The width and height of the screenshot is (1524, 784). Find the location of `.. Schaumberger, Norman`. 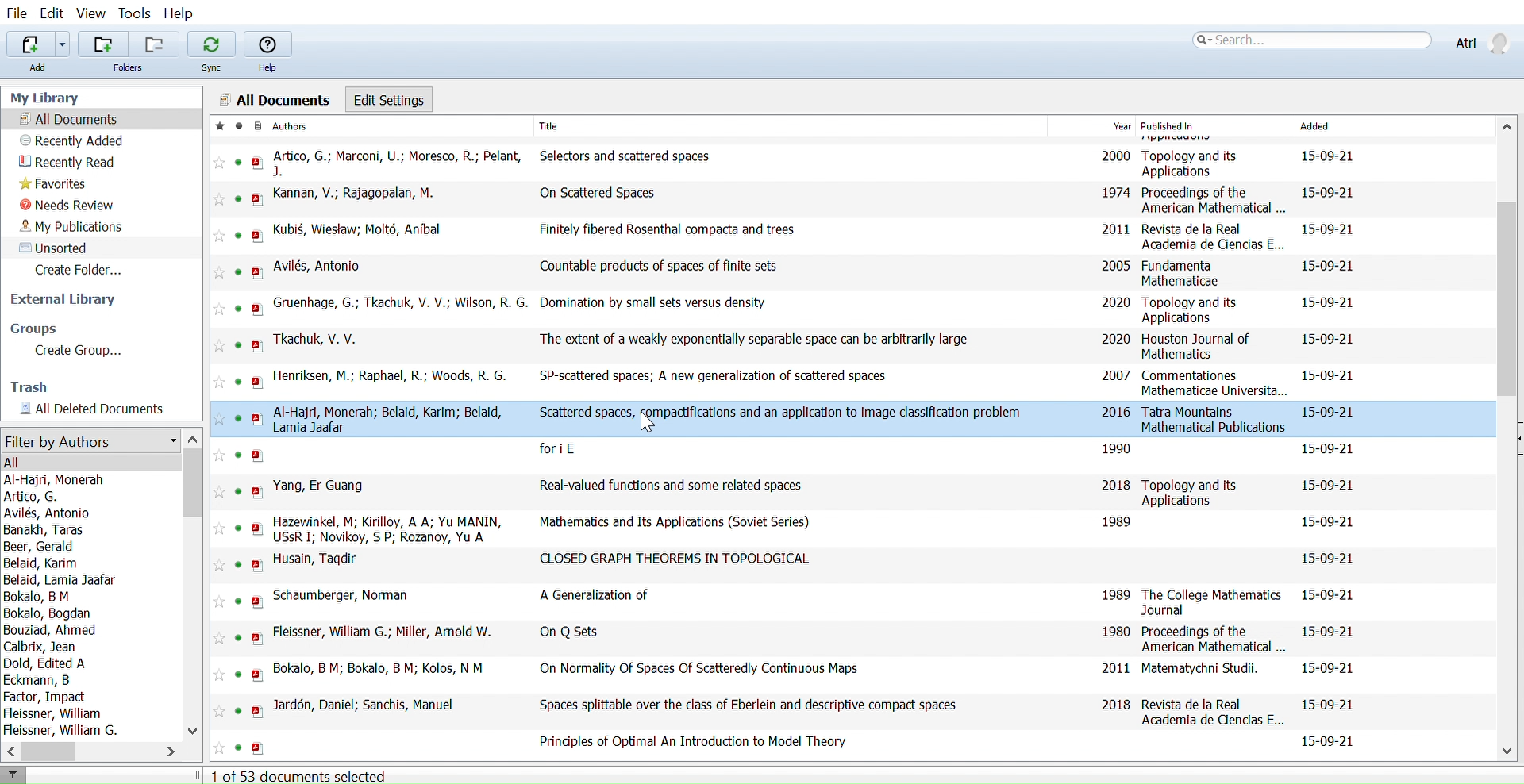

.. Schaumberger, Norman is located at coordinates (348, 594).